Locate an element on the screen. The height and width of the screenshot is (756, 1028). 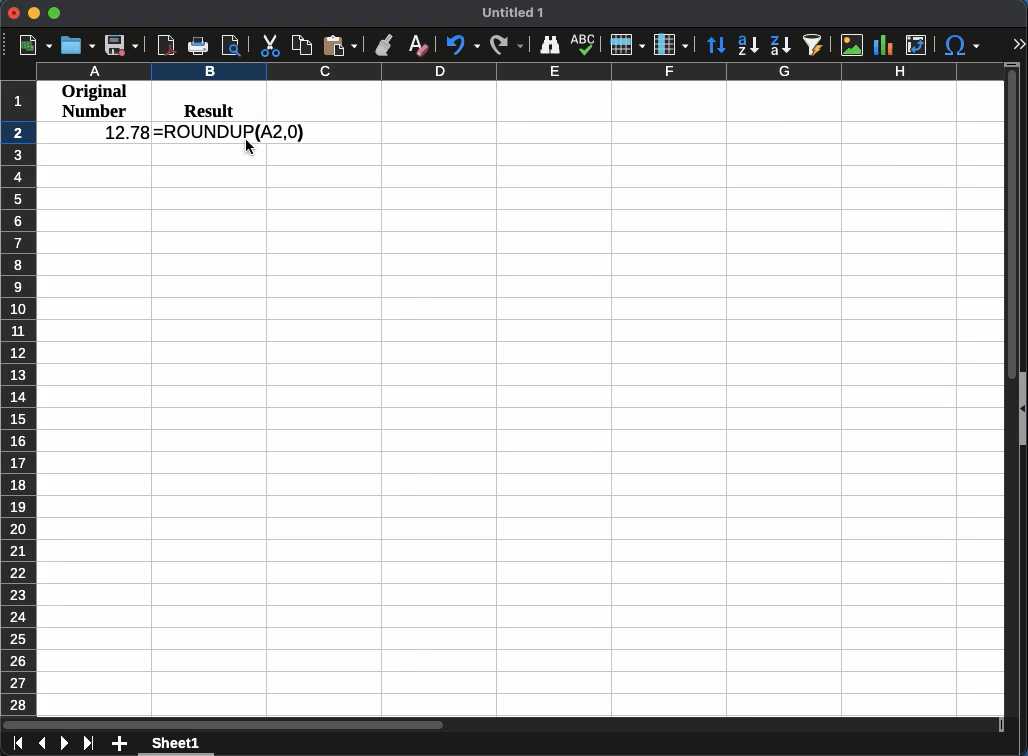
copy is located at coordinates (301, 45).